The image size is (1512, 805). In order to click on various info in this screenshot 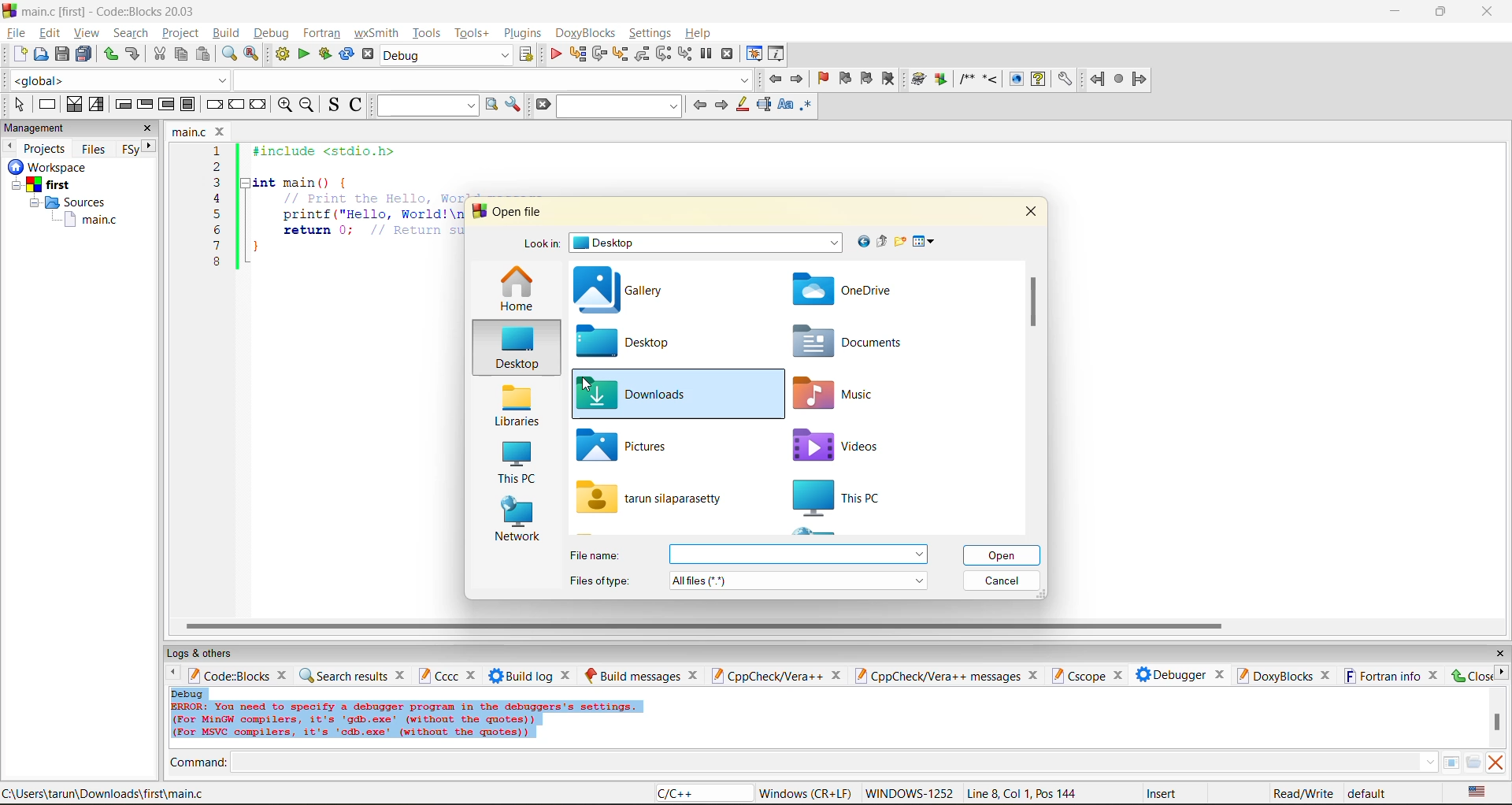, I will do `click(777, 54)`.